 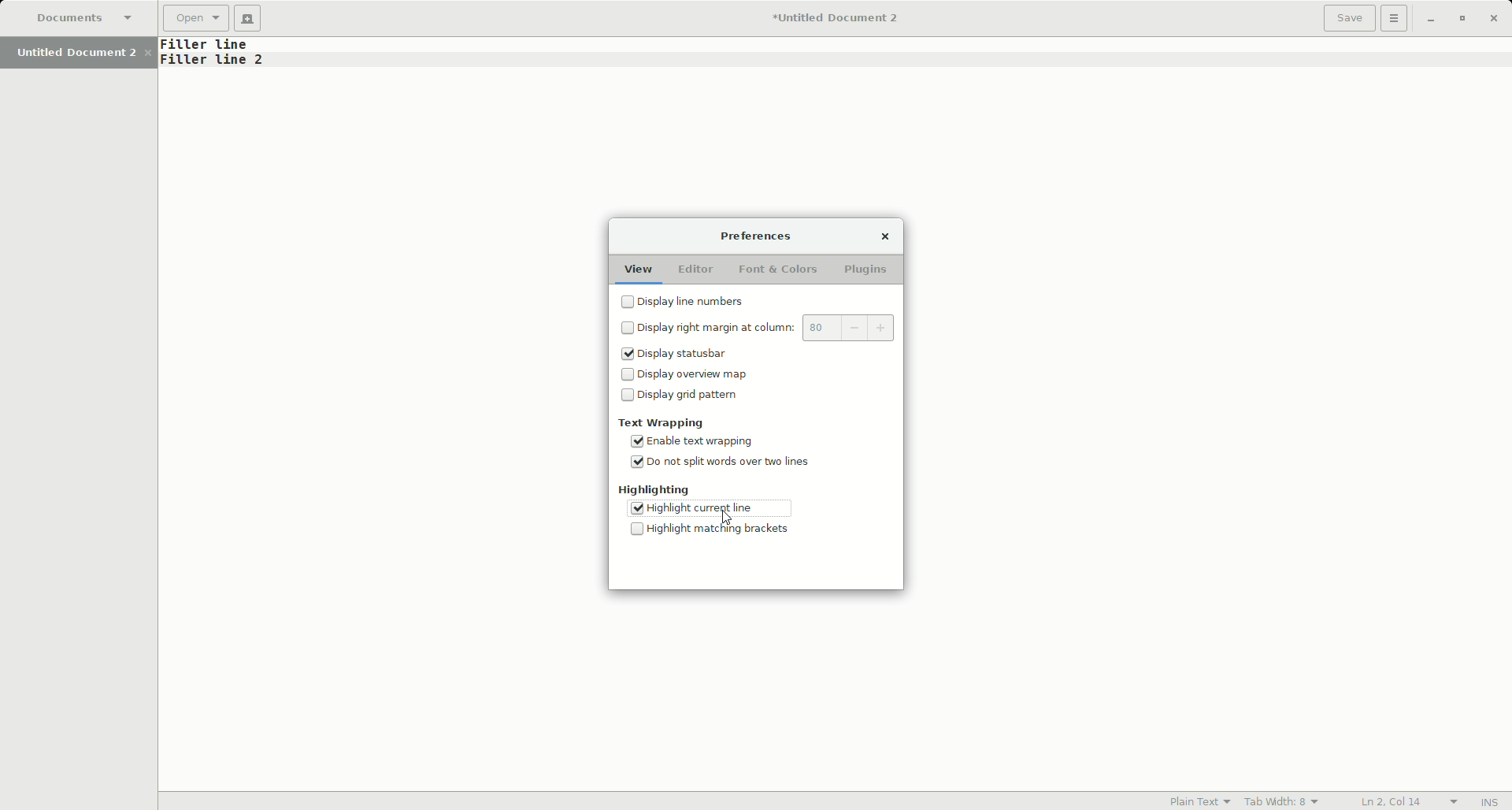 What do you see at coordinates (684, 399) in the screenshot?
I see `Display grid pattern` at bounding box center [684, 399].